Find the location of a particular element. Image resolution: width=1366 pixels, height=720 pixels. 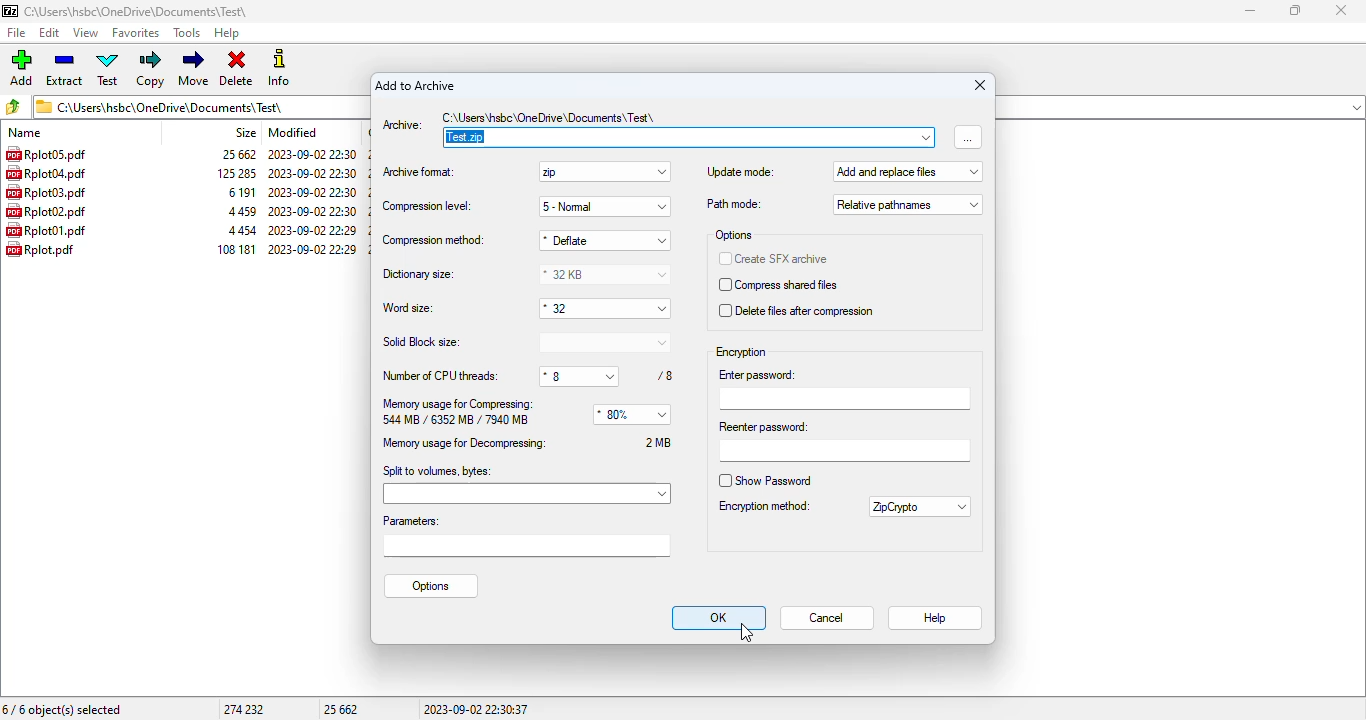

test is located at coordinates (108, 69).